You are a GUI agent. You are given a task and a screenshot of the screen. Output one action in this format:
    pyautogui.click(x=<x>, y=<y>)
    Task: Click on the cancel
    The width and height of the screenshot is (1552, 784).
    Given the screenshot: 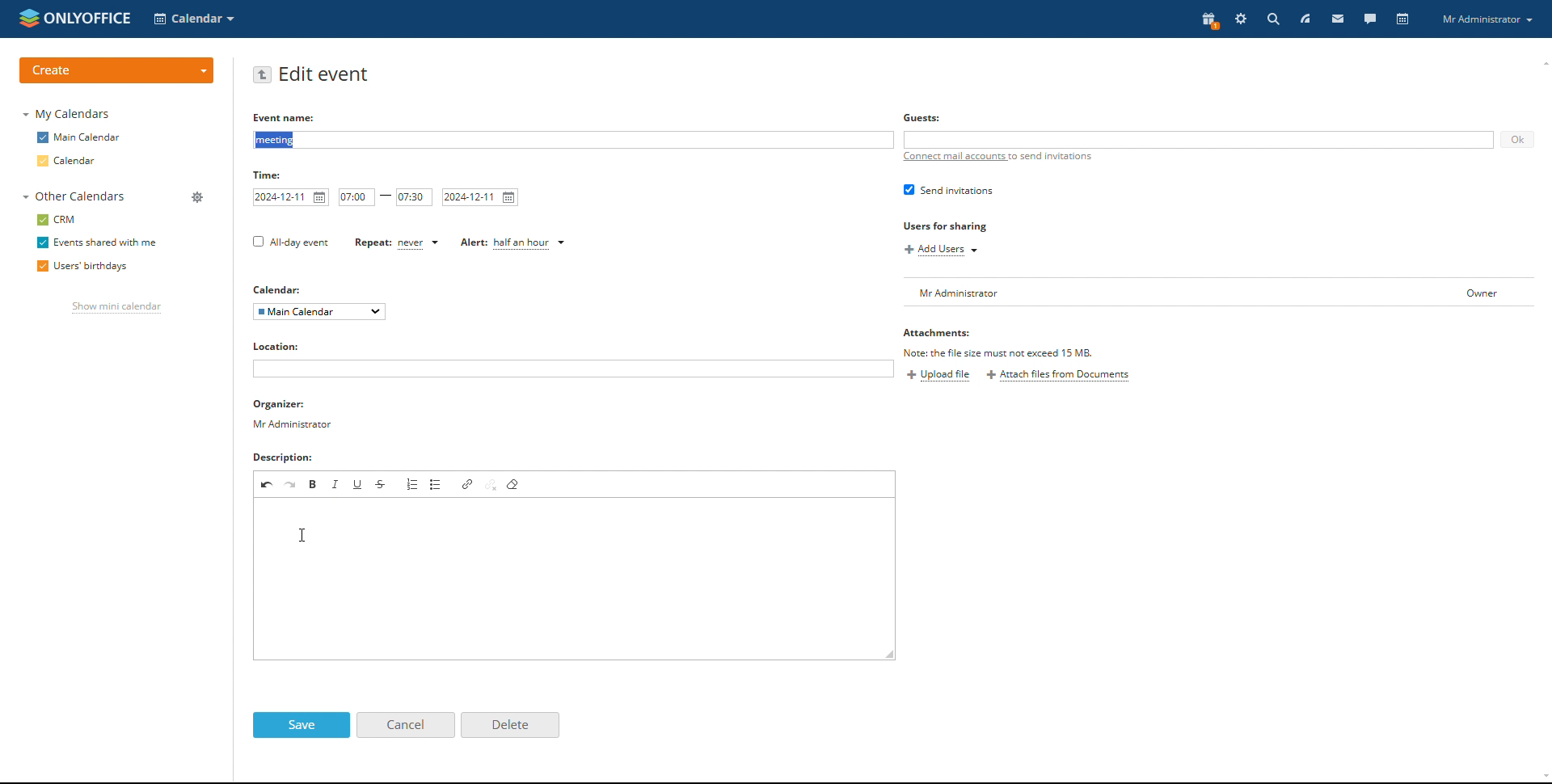 What is the action you would take?
    pyautogui.click(x=407, y=725)
    